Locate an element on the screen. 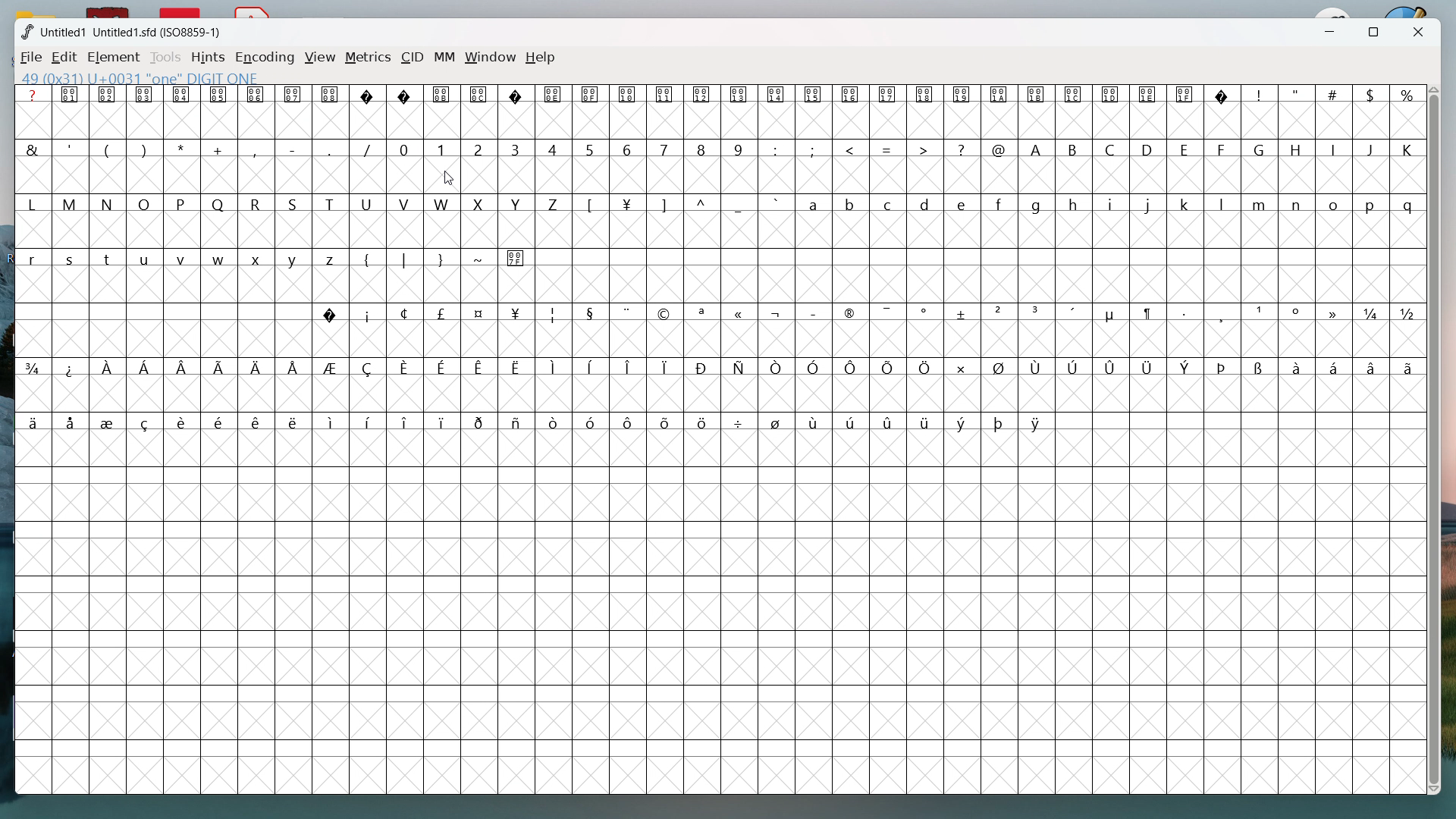  help is located at coordinates (542, 58).